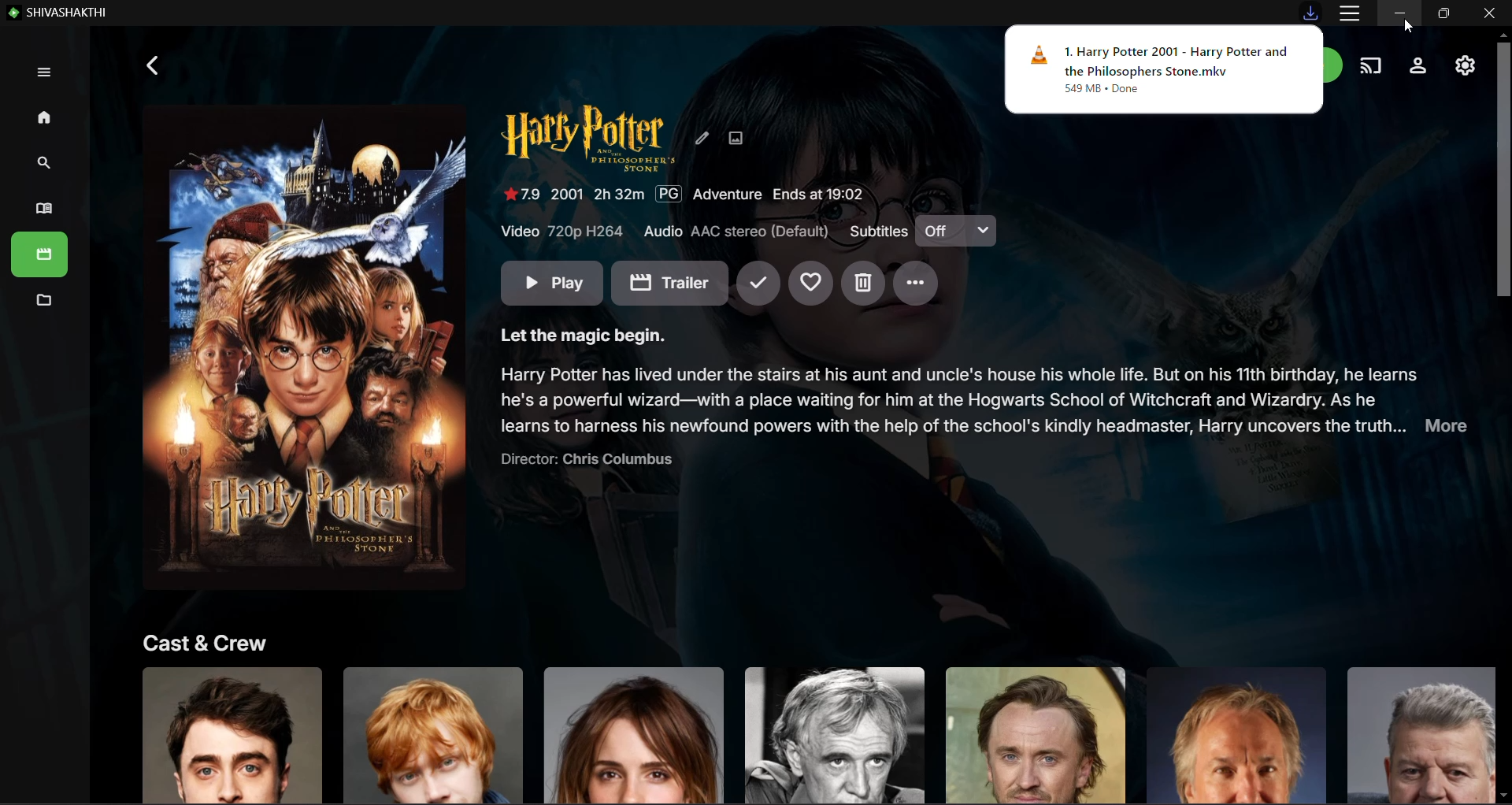 The height and width of the screenshot is (805, 1512). I want to click on Edit Image, so click(736, 137).